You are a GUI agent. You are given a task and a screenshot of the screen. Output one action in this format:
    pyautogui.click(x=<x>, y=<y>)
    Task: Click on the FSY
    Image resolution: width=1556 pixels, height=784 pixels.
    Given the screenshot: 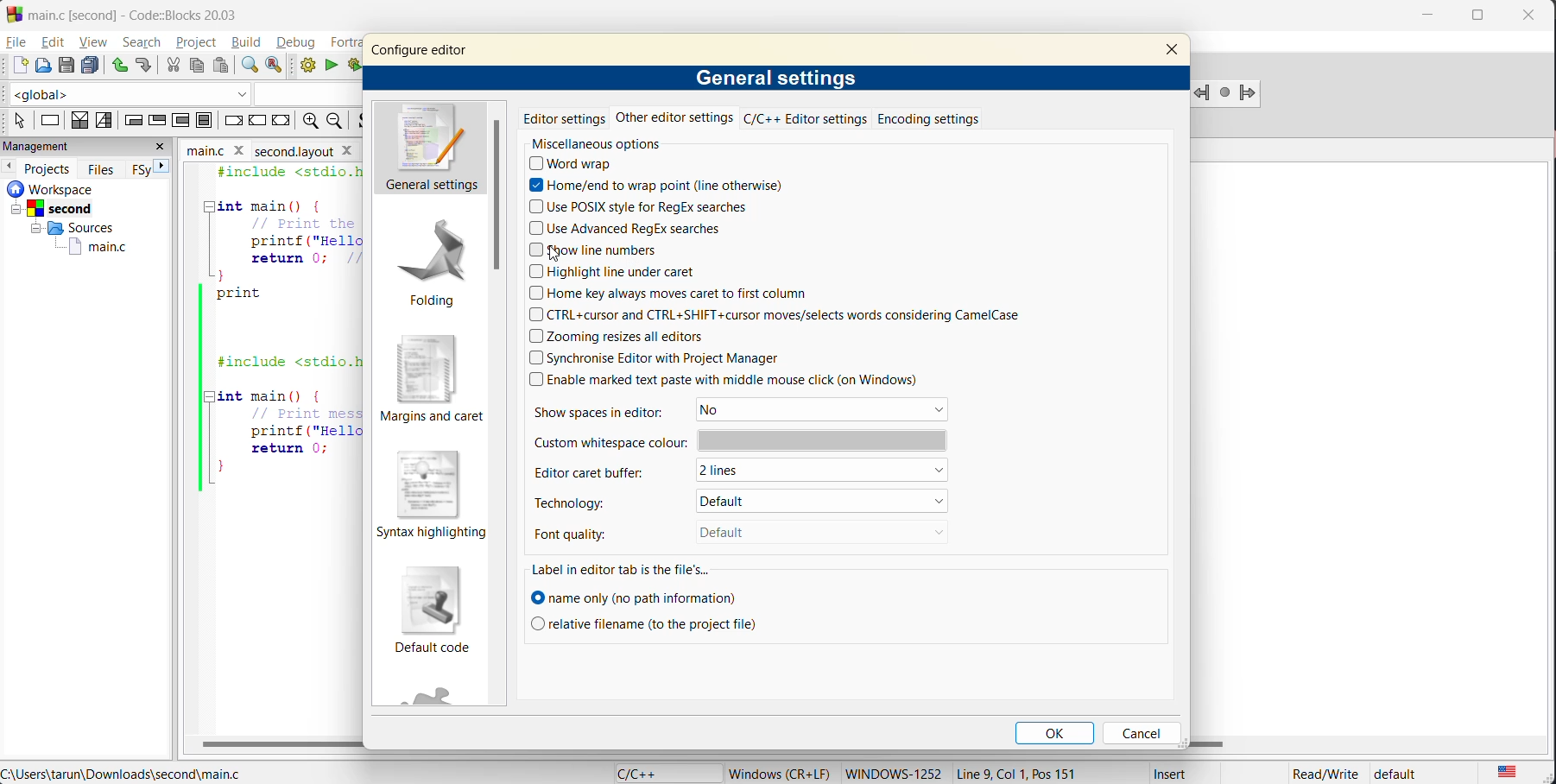 What is the action you would take?
    pyautogui.click(x=140, y=169)
    